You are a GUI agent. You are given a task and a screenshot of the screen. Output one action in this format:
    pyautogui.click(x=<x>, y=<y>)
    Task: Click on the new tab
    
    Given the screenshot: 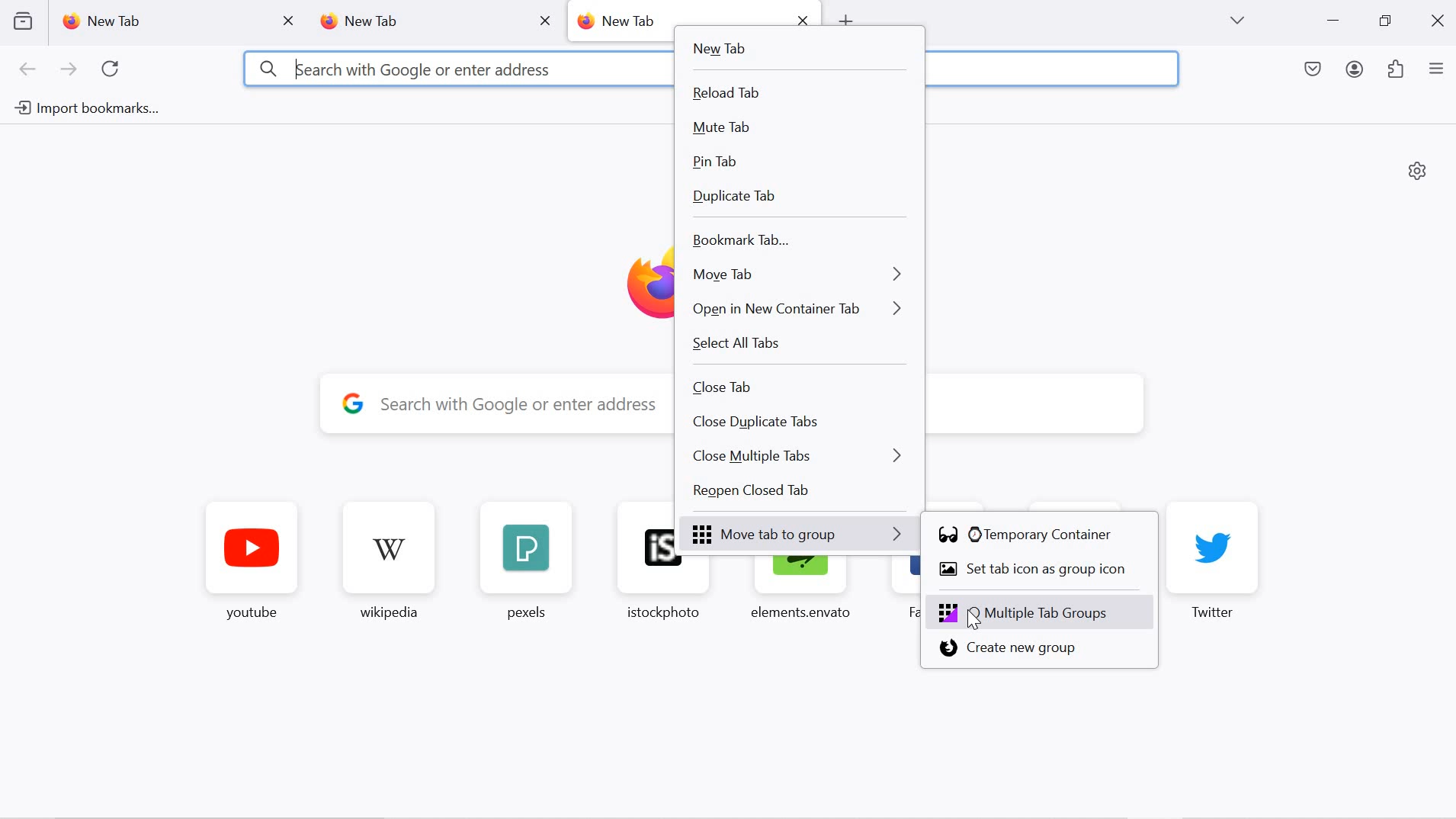 What is the action you would take?
    pyautogui.click(x=621, y=21)
    